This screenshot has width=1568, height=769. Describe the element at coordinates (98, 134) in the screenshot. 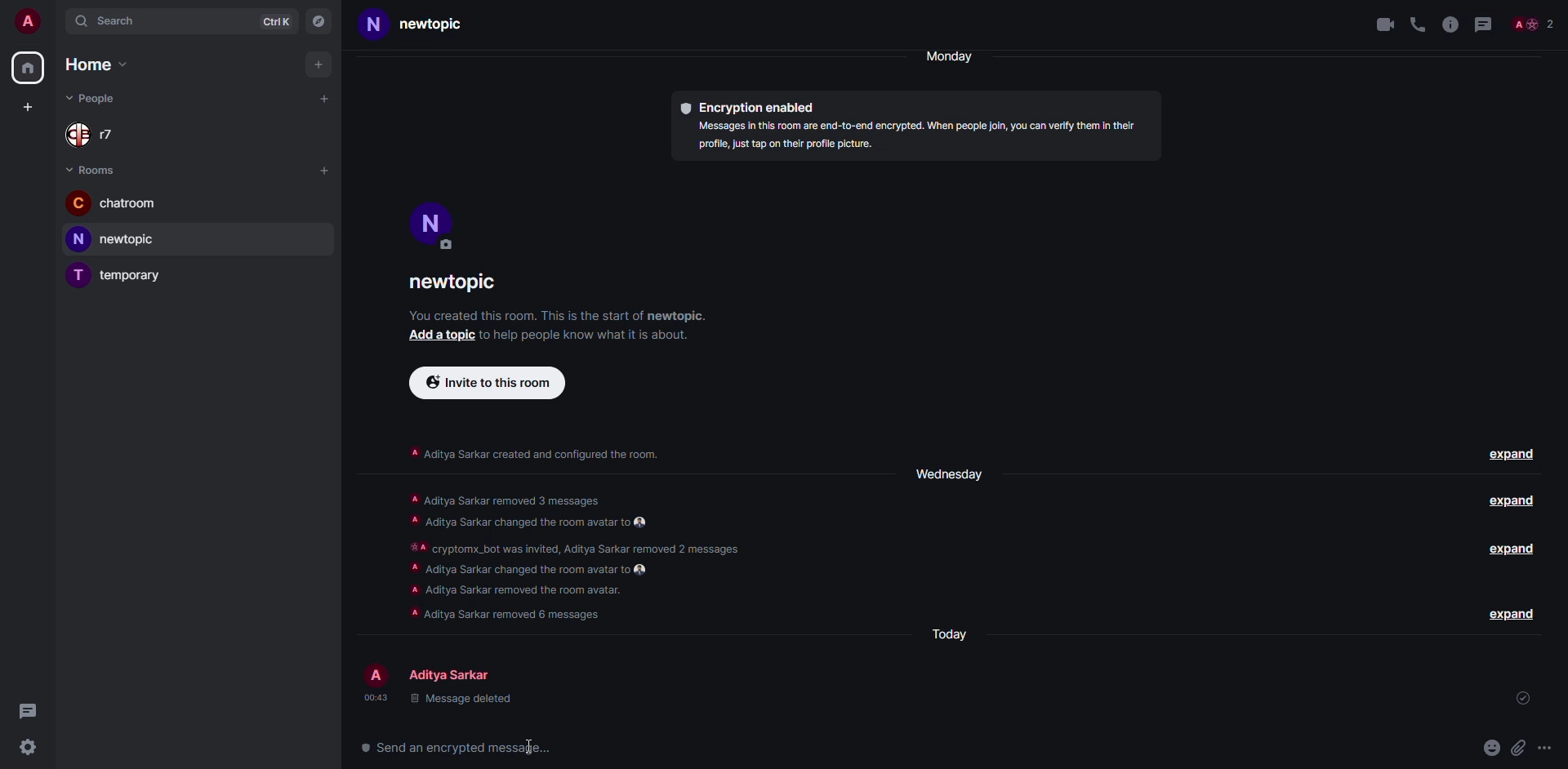

I see `people` at that location.